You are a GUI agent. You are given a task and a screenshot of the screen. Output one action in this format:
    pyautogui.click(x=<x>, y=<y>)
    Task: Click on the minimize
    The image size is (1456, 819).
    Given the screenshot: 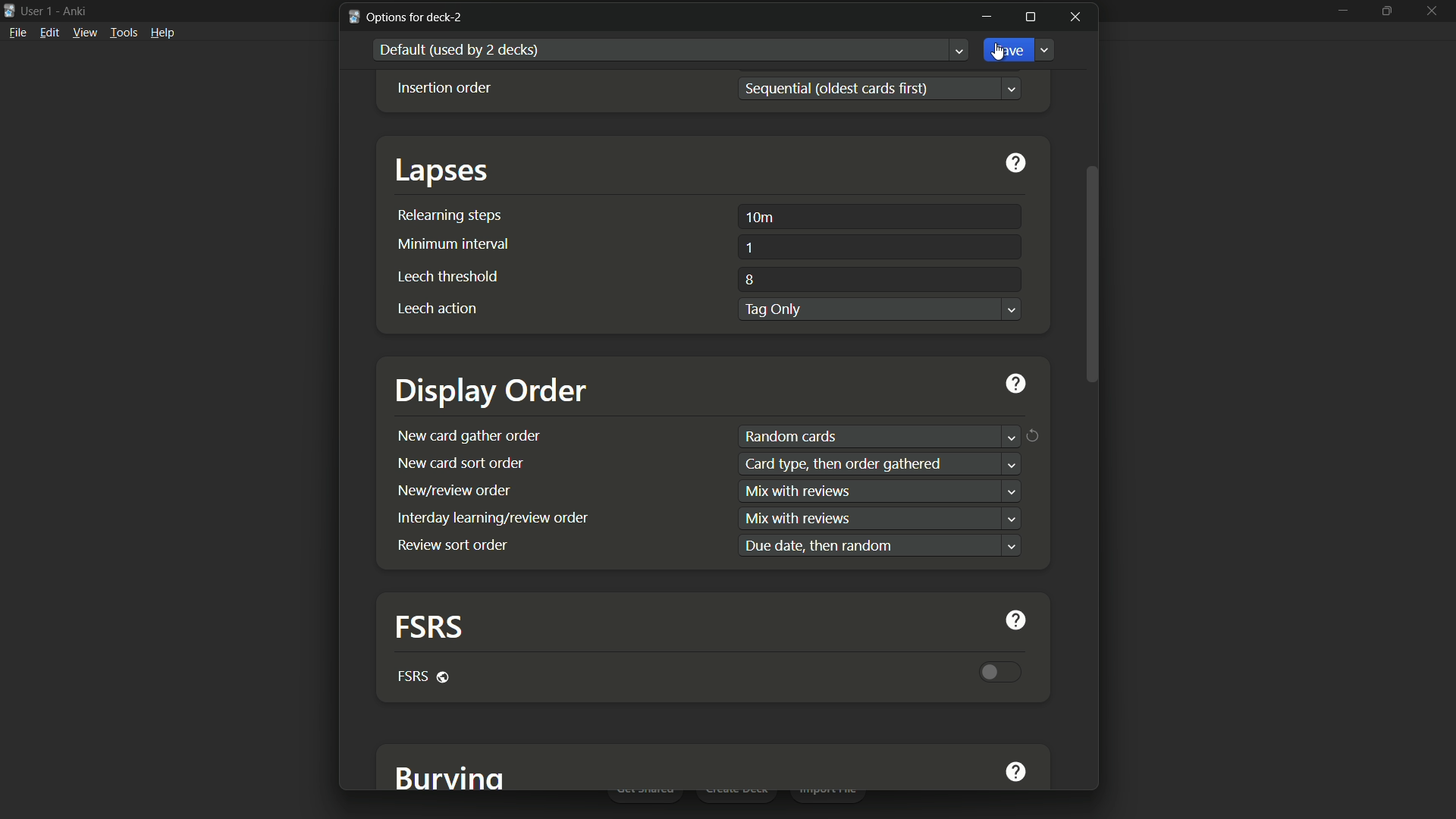 What is the action you would take?
    pyautogui.click(x=986, y=16)
    